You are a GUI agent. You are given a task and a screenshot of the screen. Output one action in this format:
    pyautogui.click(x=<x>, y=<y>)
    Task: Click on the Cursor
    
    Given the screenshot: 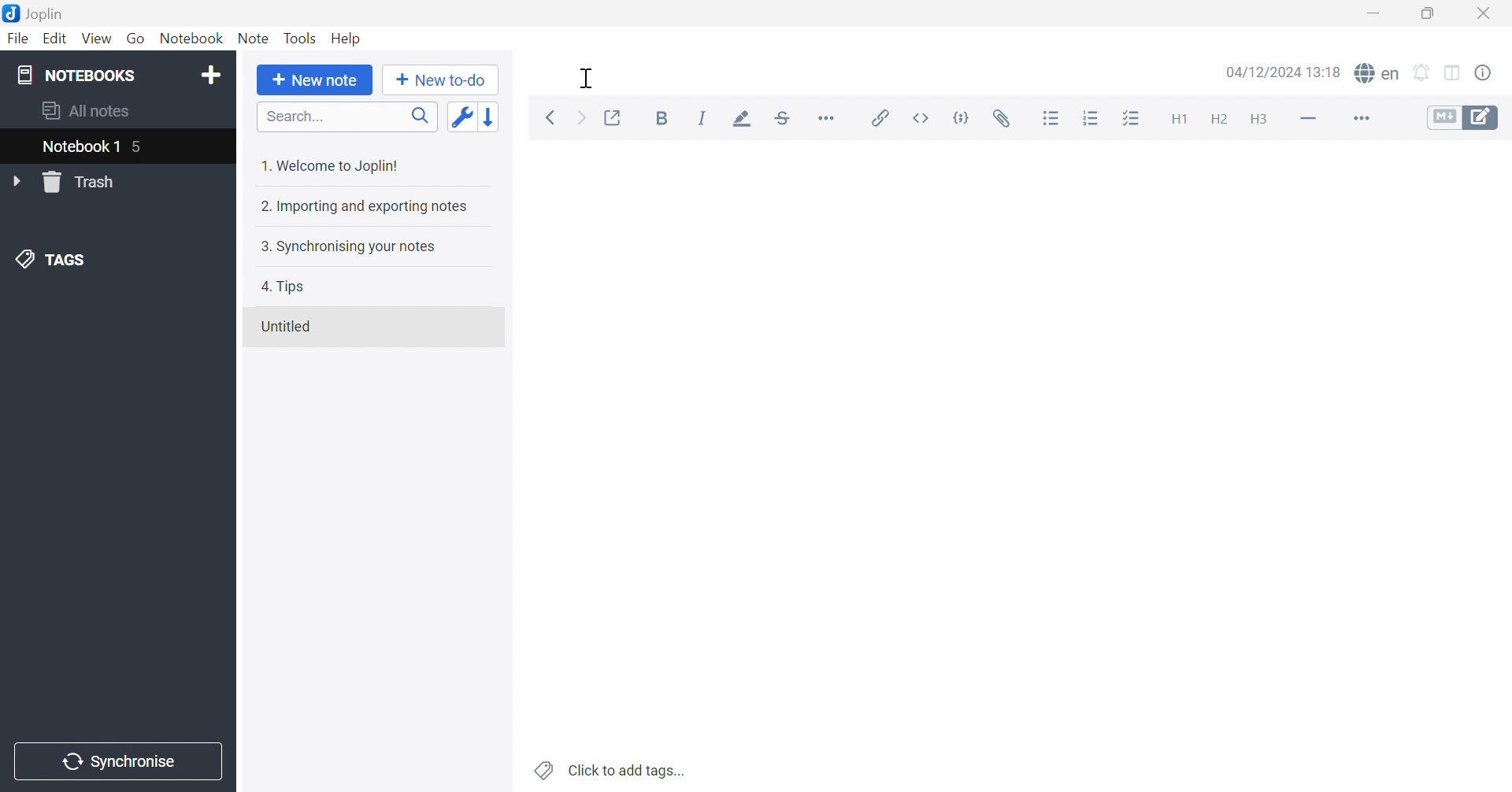 What is the action you would take?
    pyautogui.click(x=585, y=79)
    